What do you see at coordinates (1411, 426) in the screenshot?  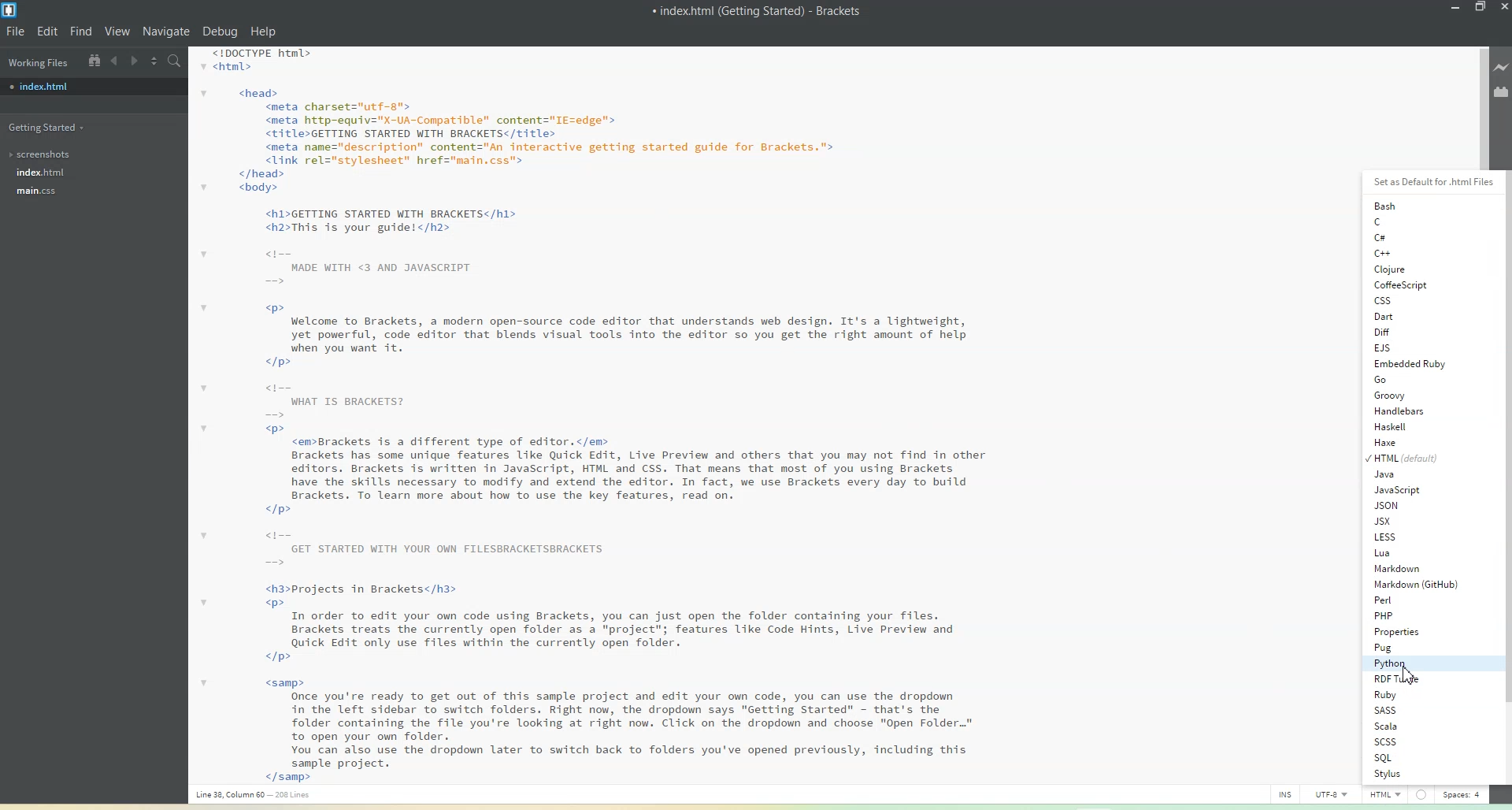 I see `Haskell` at bounding box center [1411, 426].